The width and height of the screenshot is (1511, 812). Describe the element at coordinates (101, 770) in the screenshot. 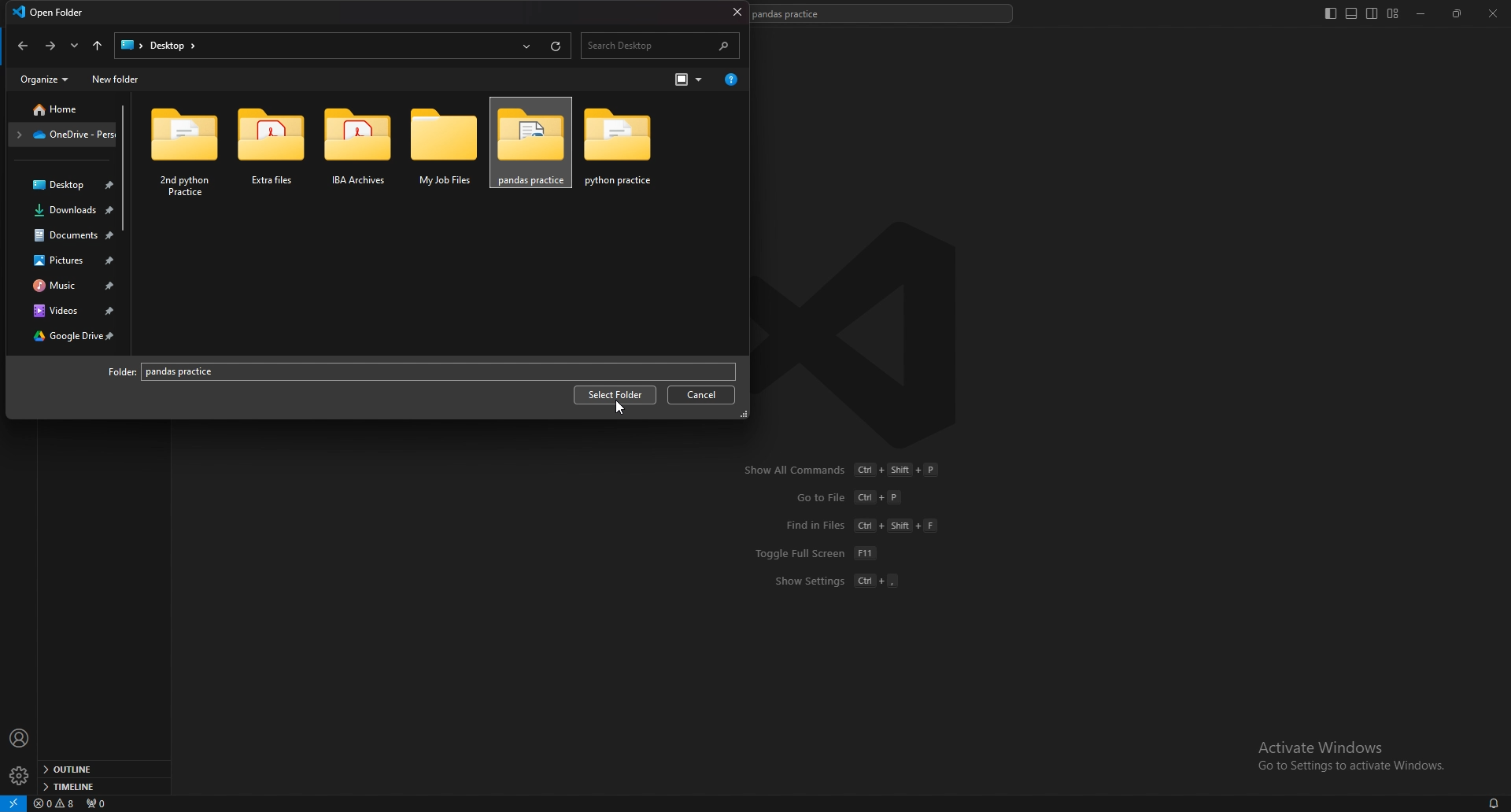

I see `outline` at that location.